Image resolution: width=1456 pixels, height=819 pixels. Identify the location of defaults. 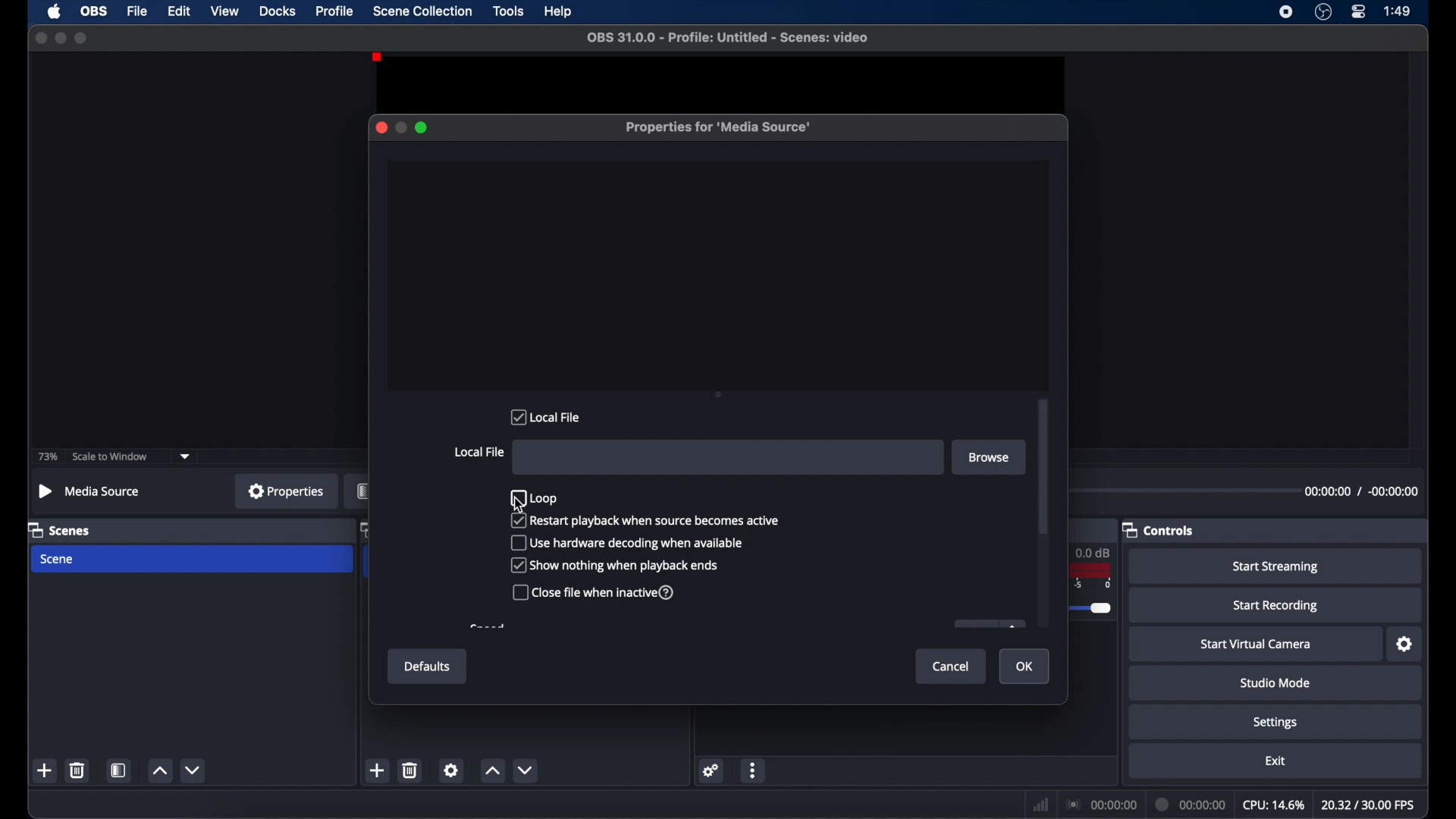
(428, 665).